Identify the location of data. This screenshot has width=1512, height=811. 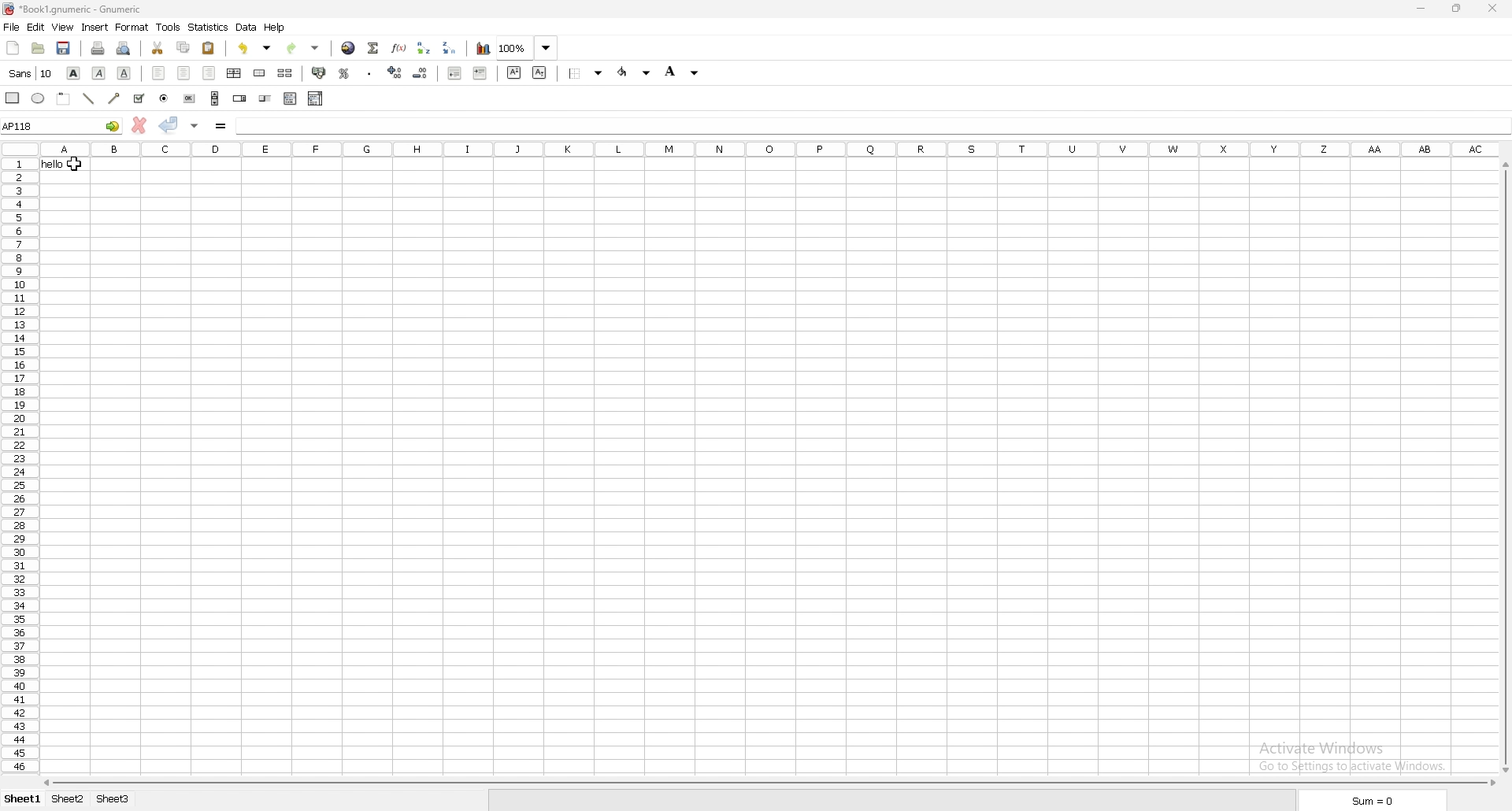
(247, 27).